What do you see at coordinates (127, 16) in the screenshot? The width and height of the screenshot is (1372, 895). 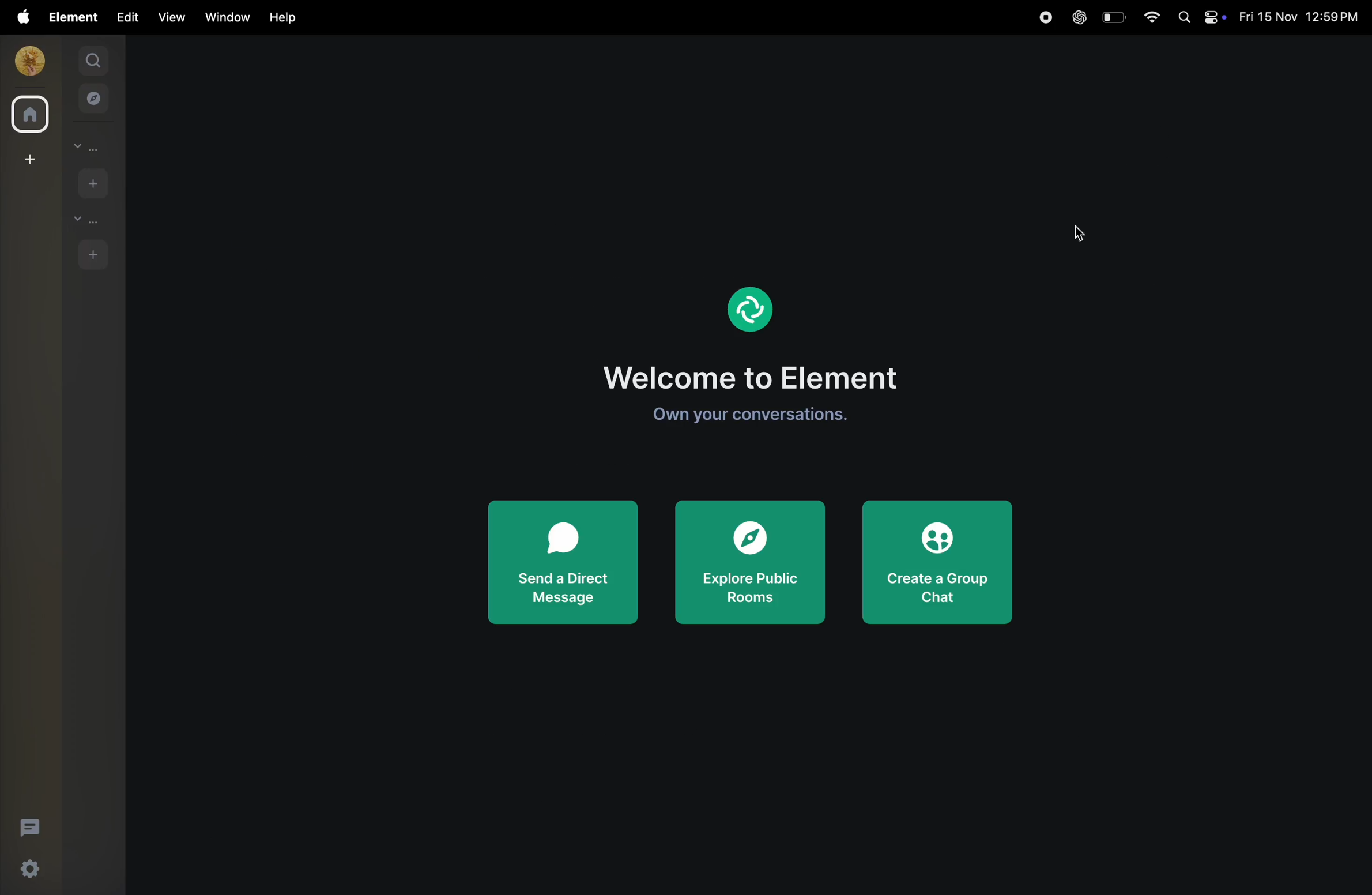 I see `edit` at bounding box center [127, 16].